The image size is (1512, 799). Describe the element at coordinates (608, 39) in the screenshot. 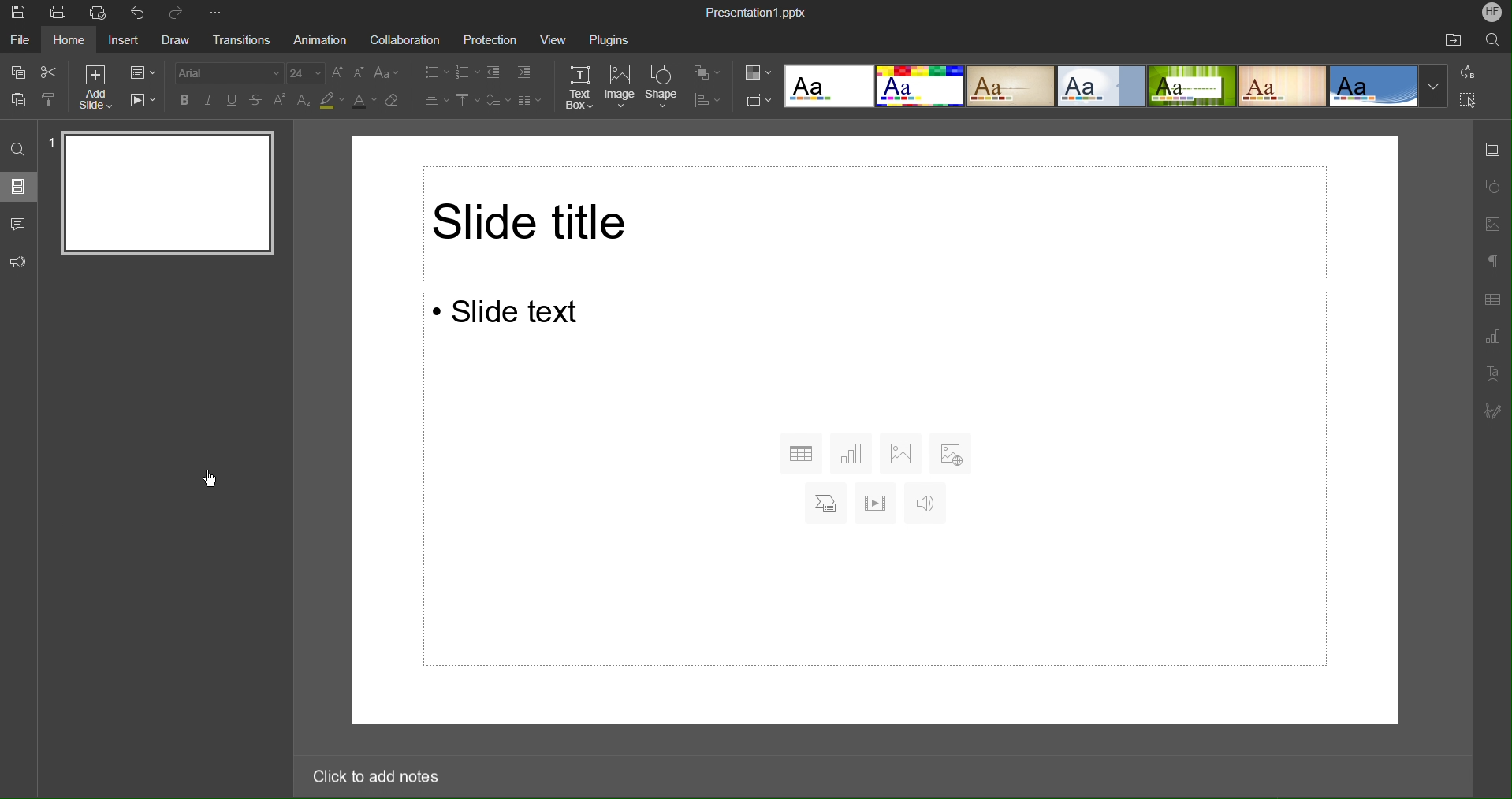

I see `Plugins` at that location.